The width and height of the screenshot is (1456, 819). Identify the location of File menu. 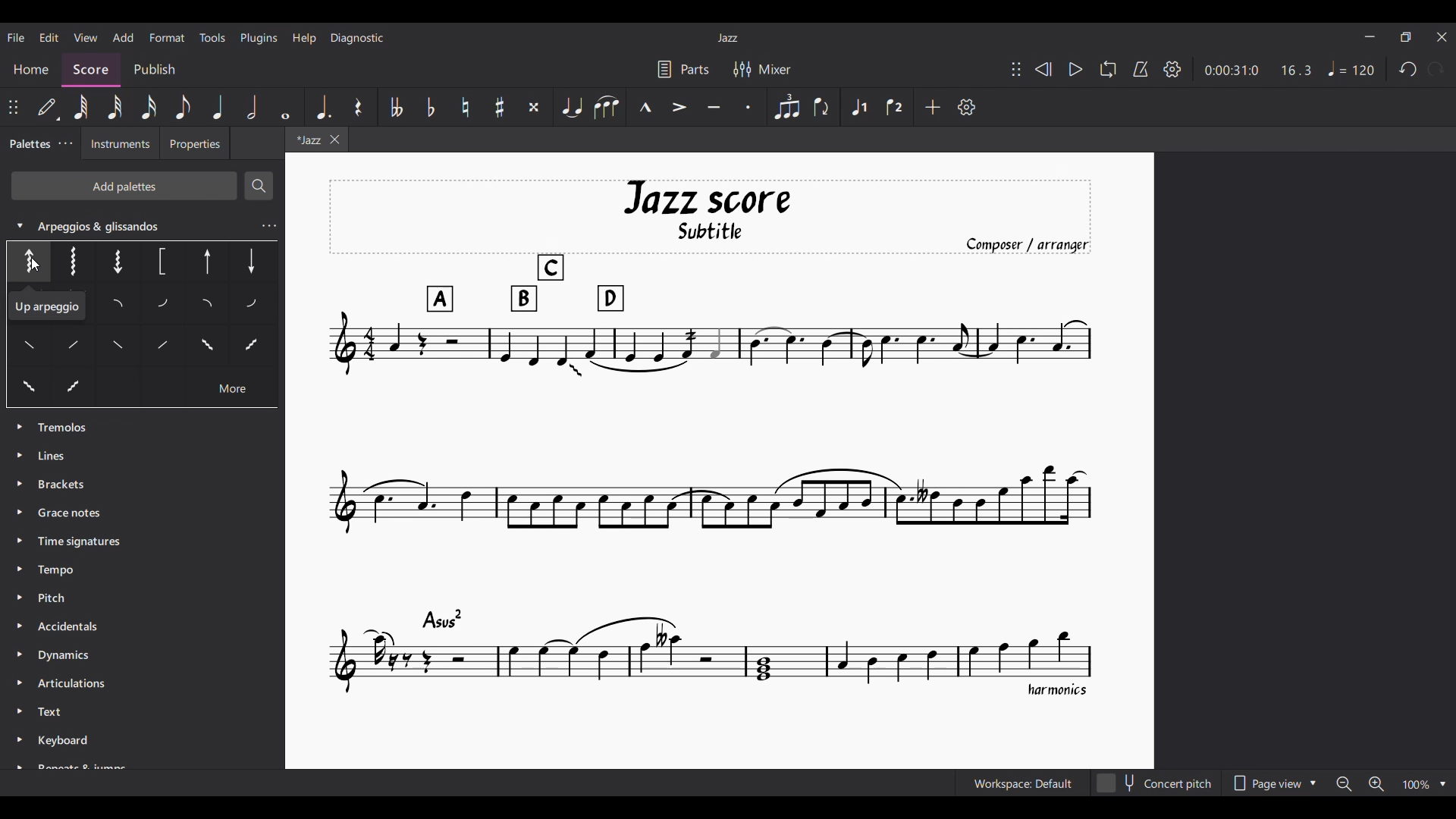
(16, 37).